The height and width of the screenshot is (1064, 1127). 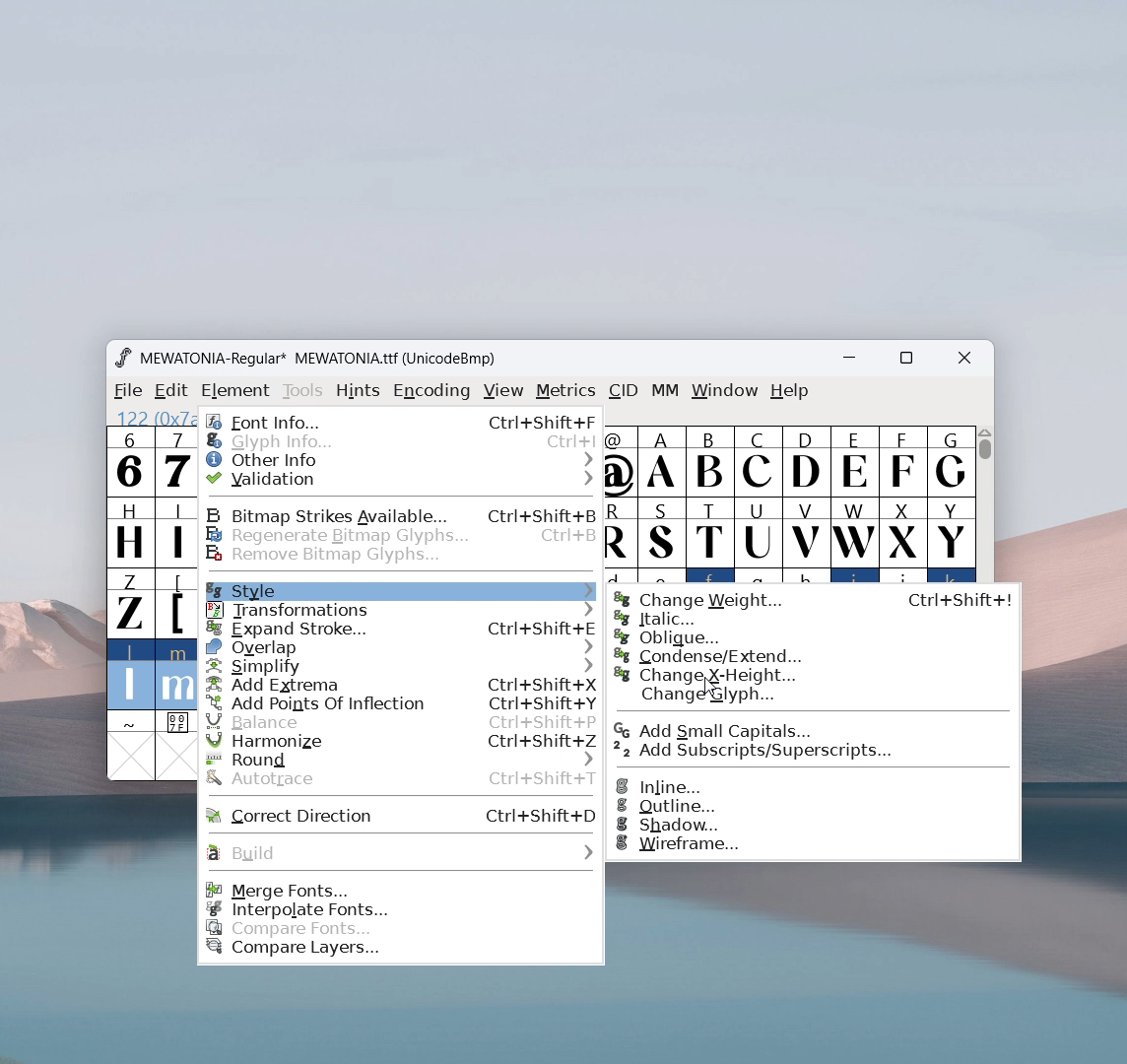 What do you see at coordinates (402, 630) in the screenshot?
I see `expand stroke` at bounding box center [402, 630].